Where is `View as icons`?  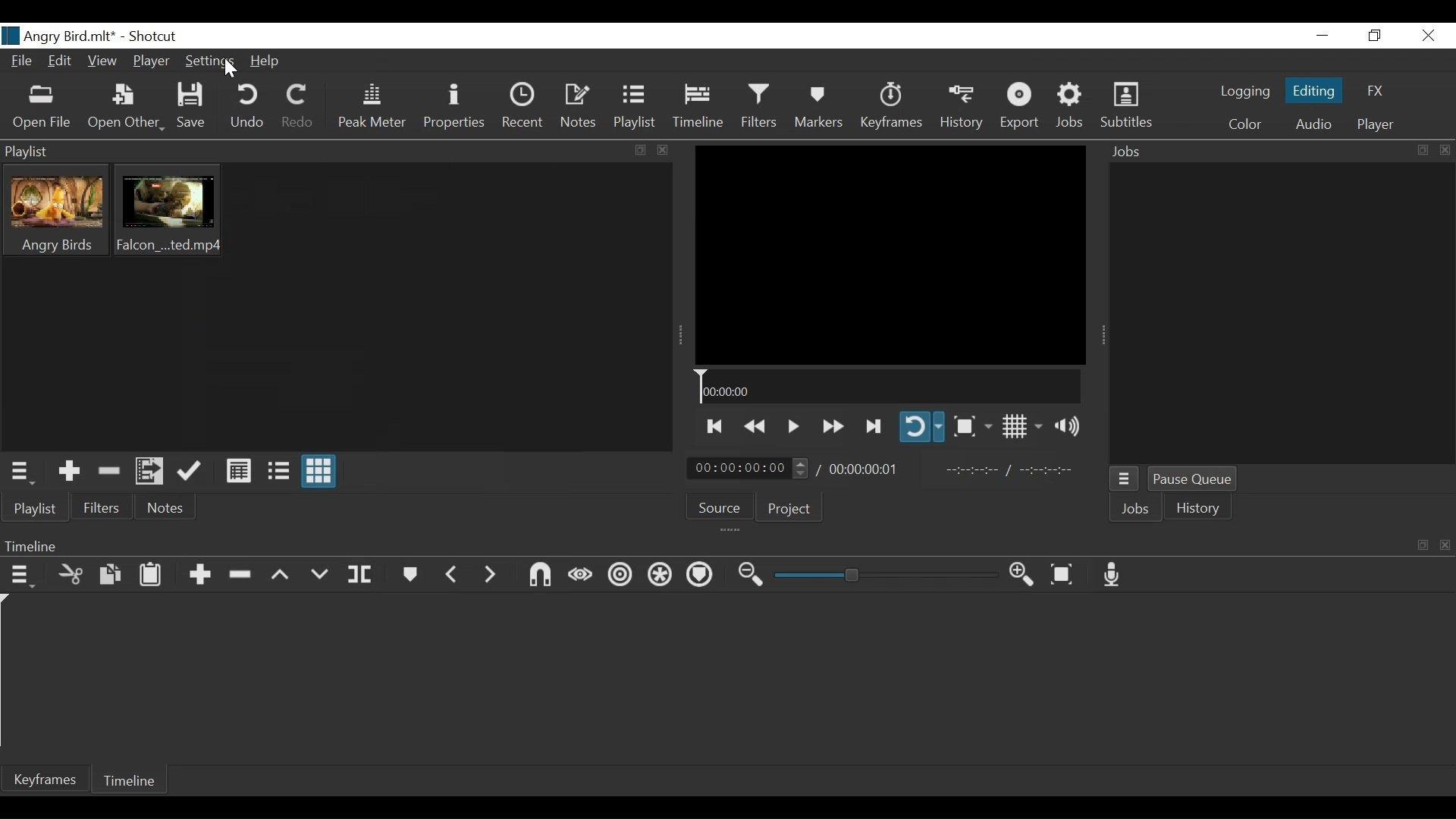 View as icons is located at coordinates (320, 472).